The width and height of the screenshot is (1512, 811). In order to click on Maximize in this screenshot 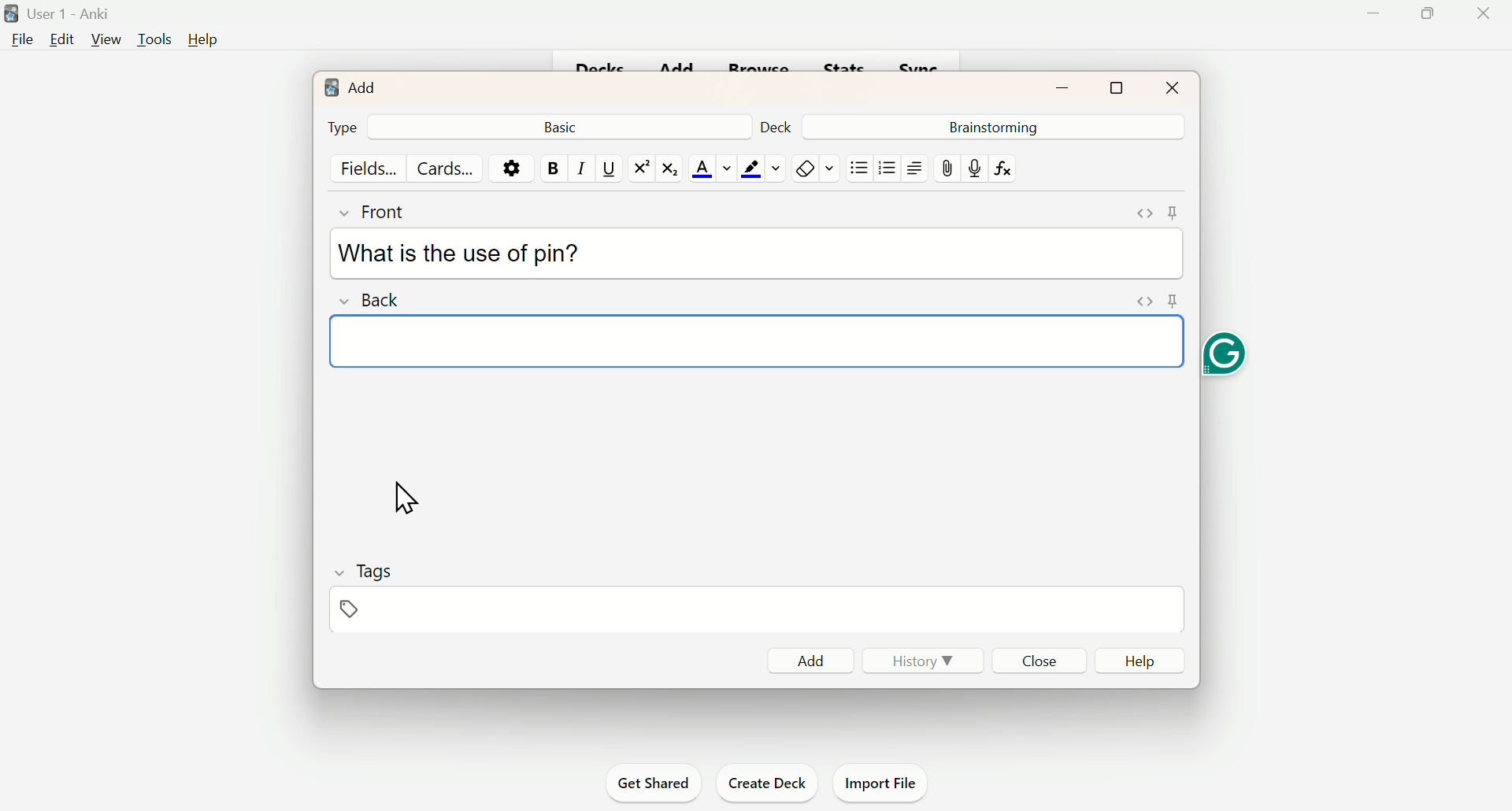, I will do `click(1117, 85)`.